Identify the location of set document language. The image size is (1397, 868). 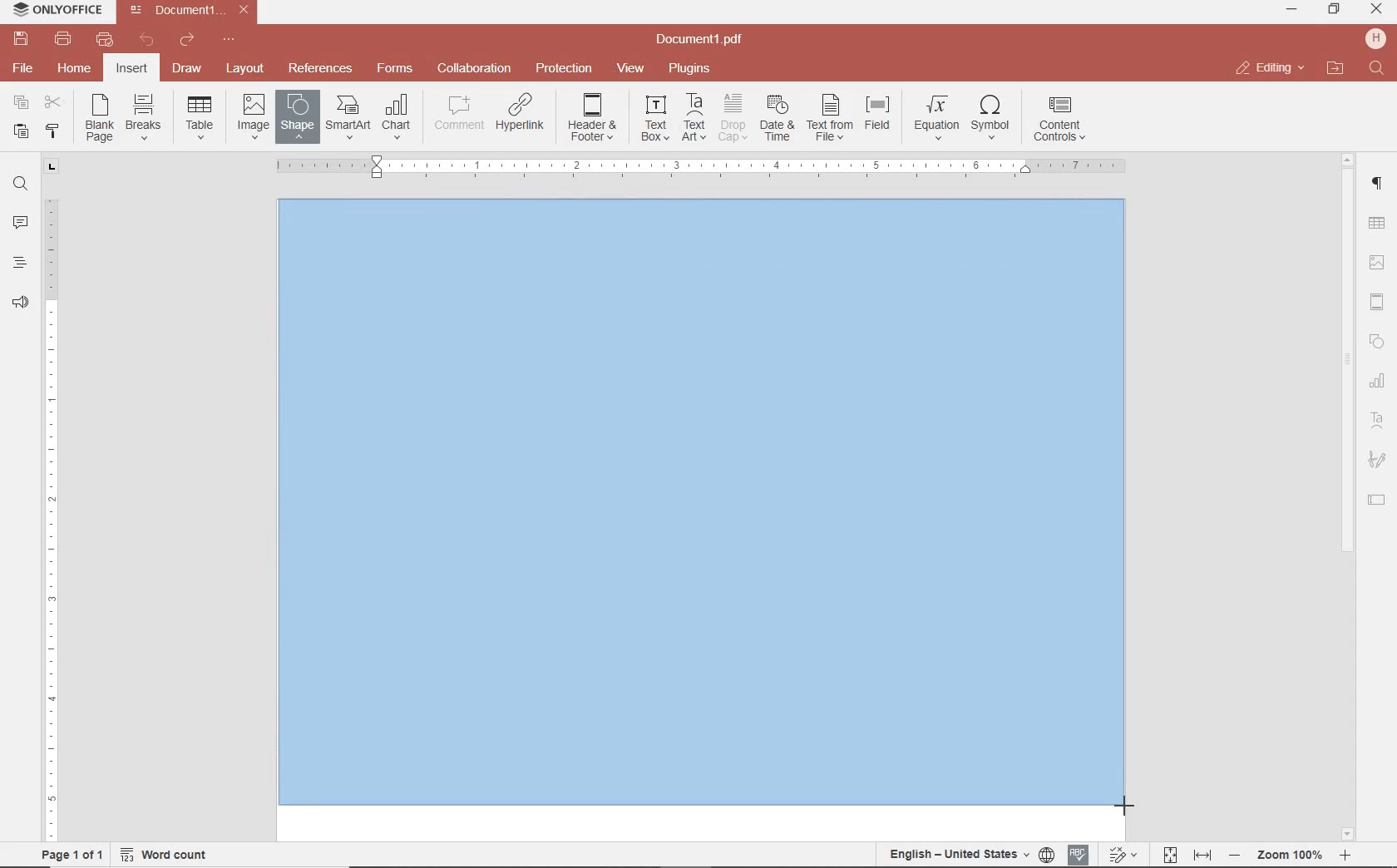
(970, 854).